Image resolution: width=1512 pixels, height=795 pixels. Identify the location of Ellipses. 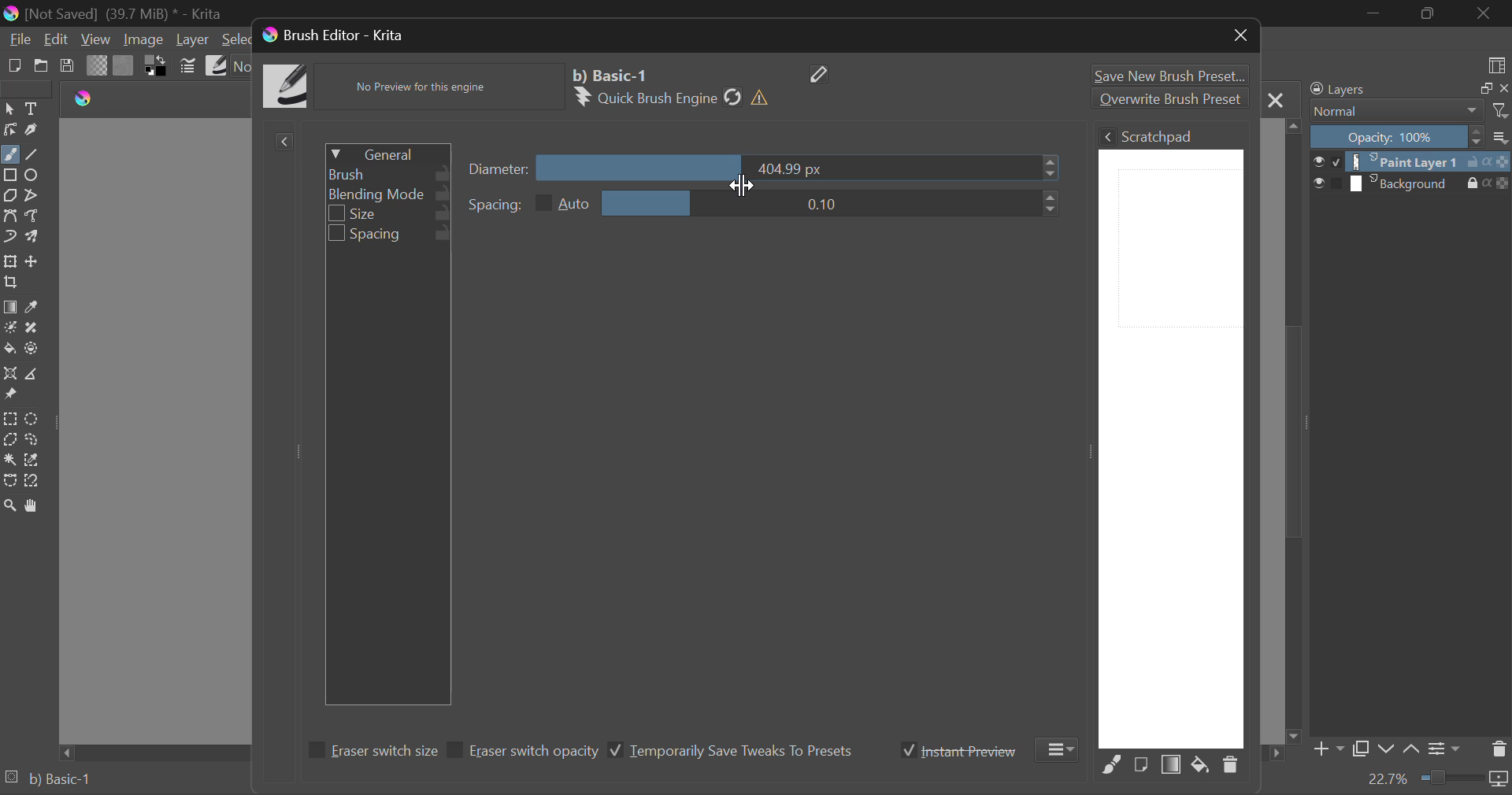
(36, 174).